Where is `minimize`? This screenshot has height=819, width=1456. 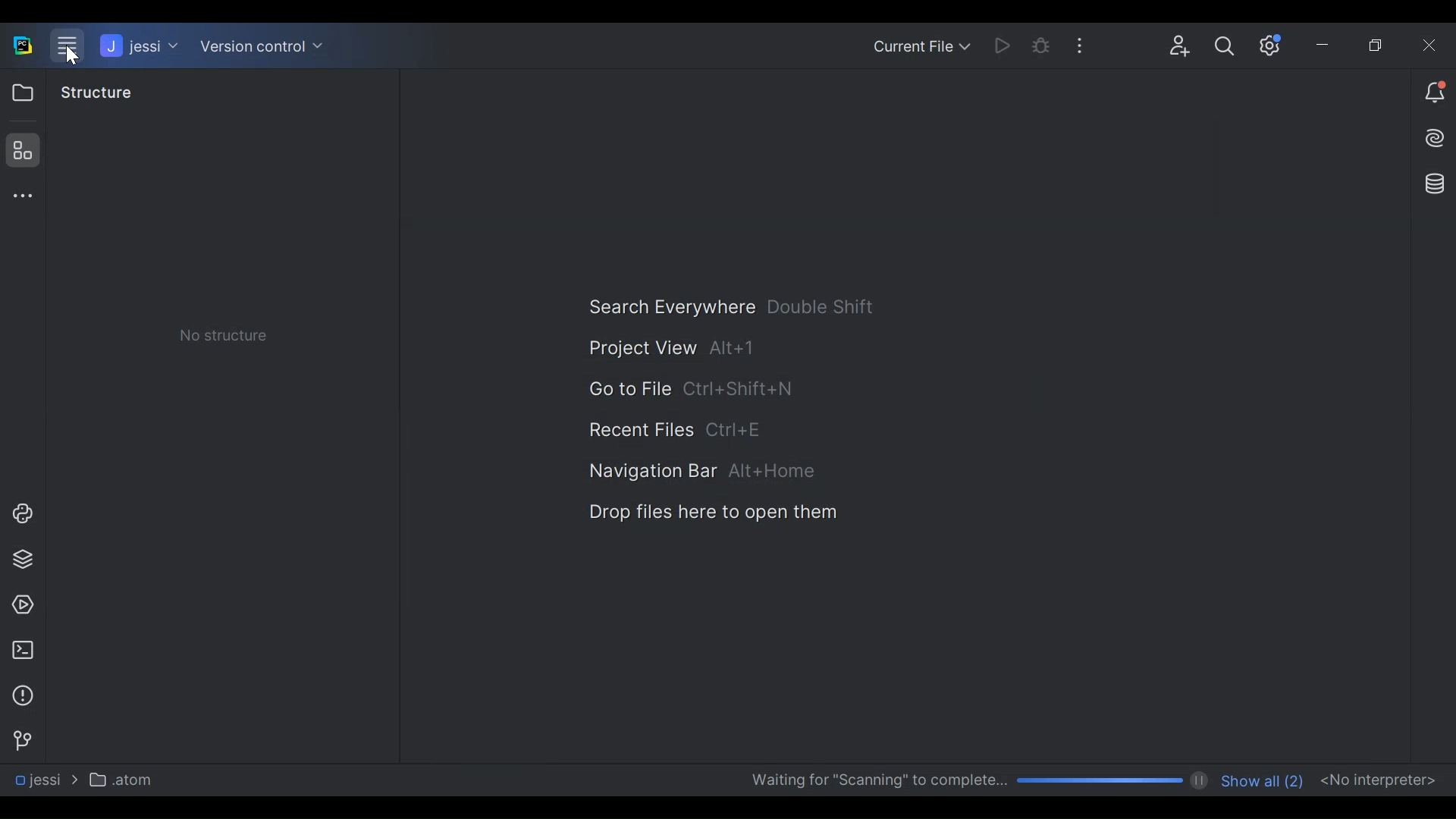 minimize is located at coordinates (1325, 45).